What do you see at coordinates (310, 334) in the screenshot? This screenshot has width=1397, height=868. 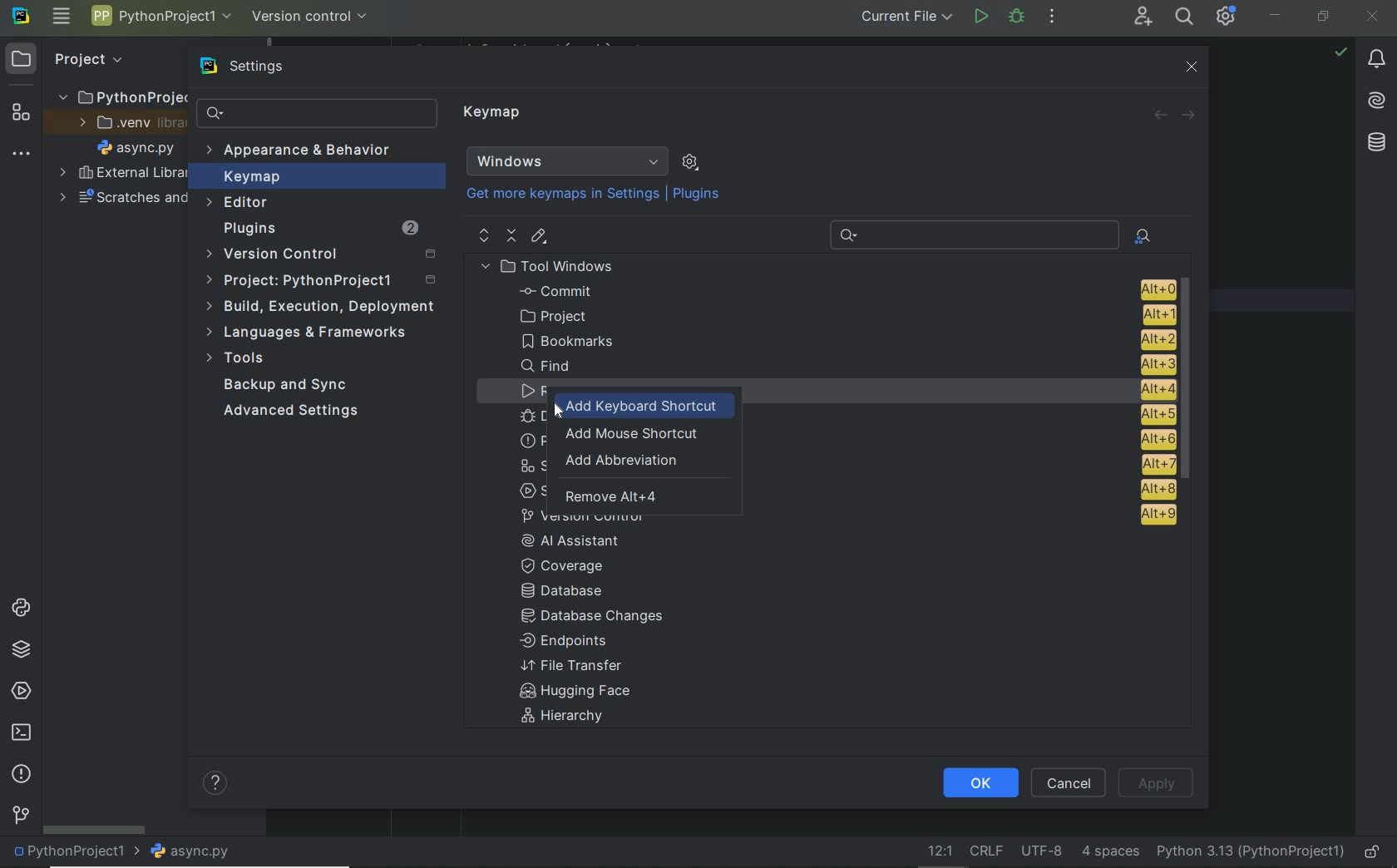 I see `Languages & frameworks` at bounding box center [310, 334].